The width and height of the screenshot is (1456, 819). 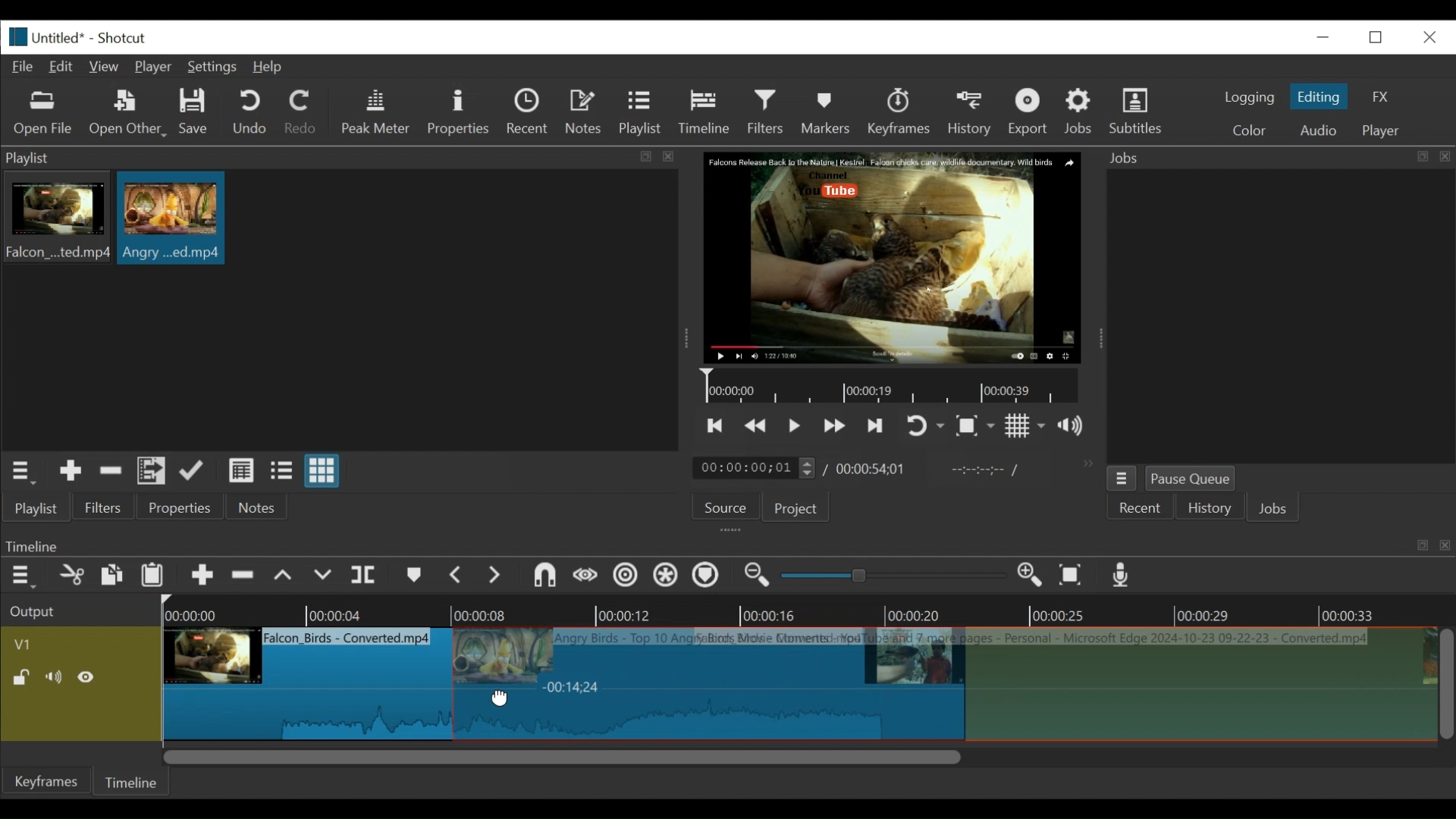 I want to click on Ripple markers, so click(x=709, y=577).